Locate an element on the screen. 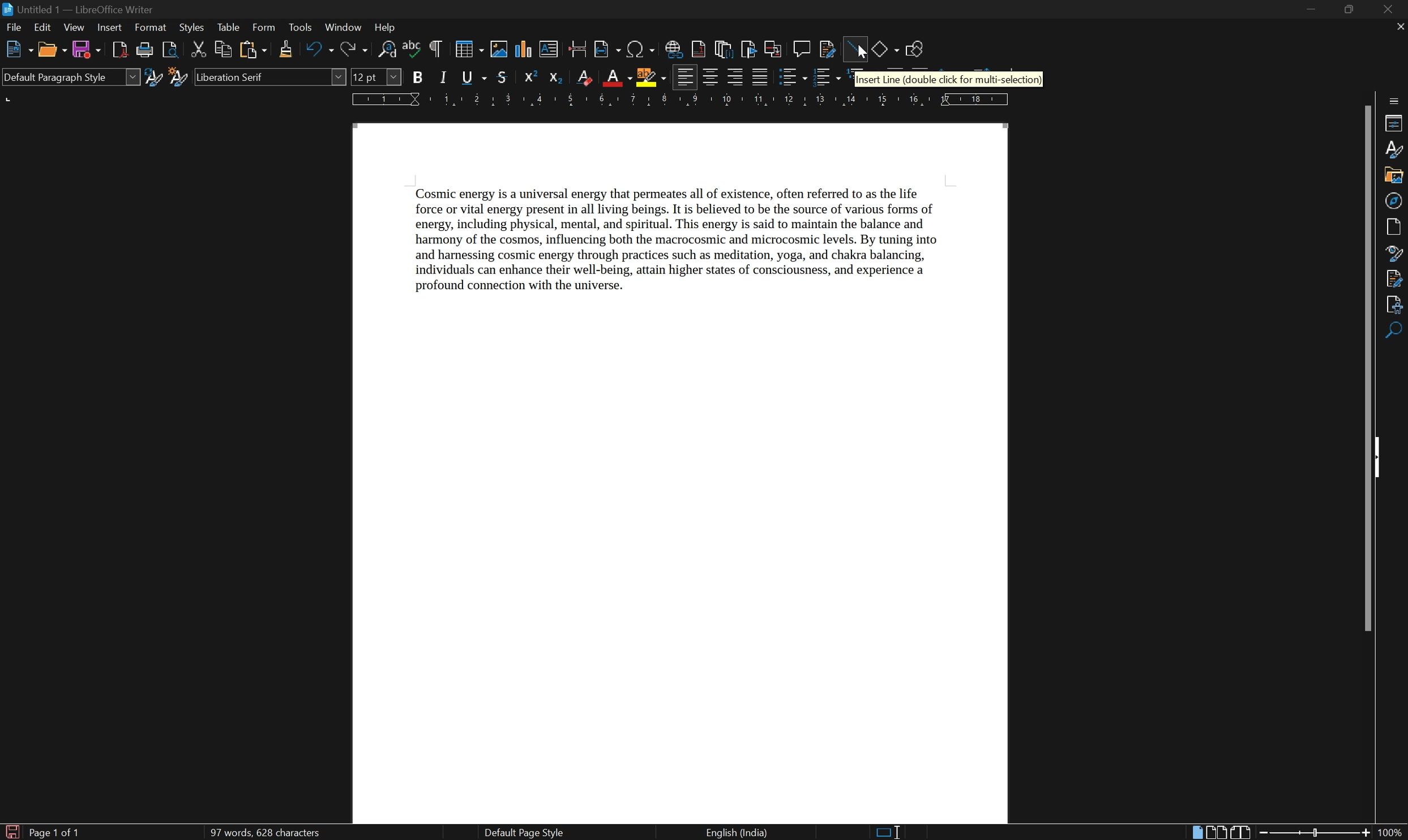 This screenshot has height=840, width=1408. navigator is located at coordinates (1393, 201).